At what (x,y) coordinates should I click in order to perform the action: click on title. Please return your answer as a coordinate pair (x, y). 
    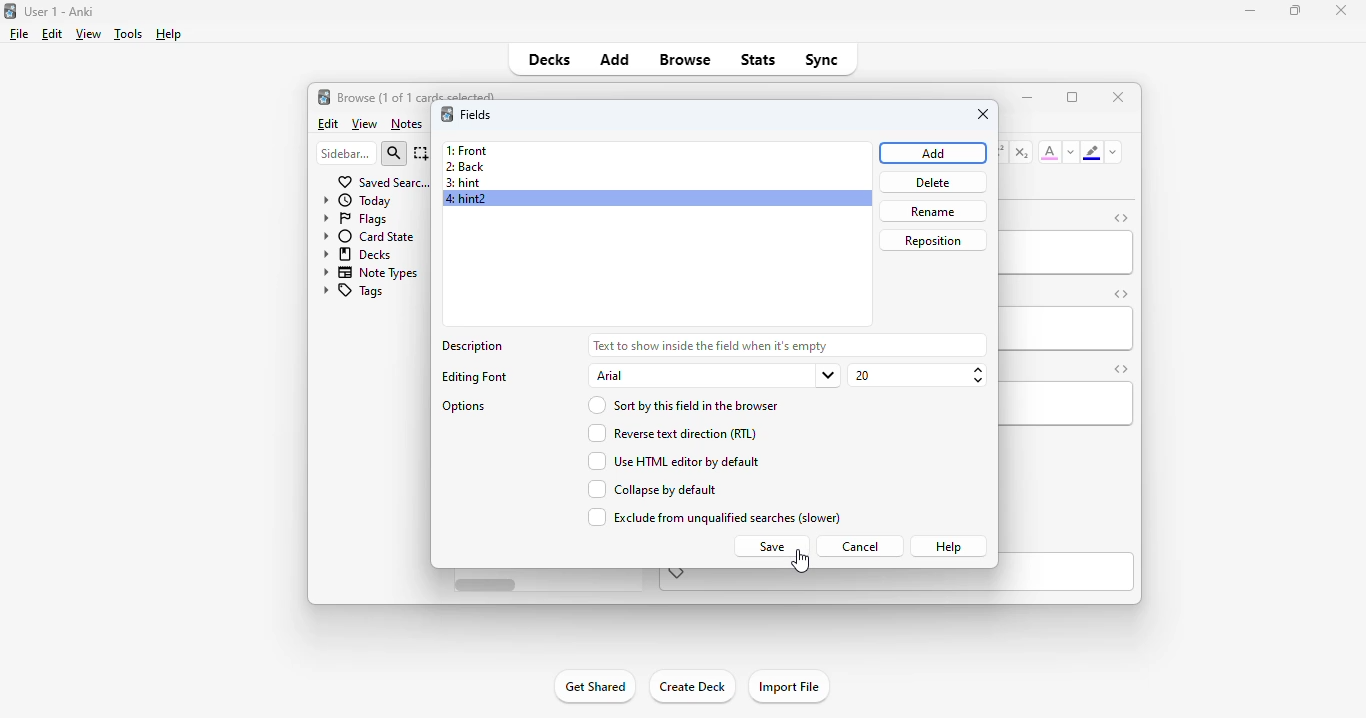
    Looking at the image, I should click on (60, 11).